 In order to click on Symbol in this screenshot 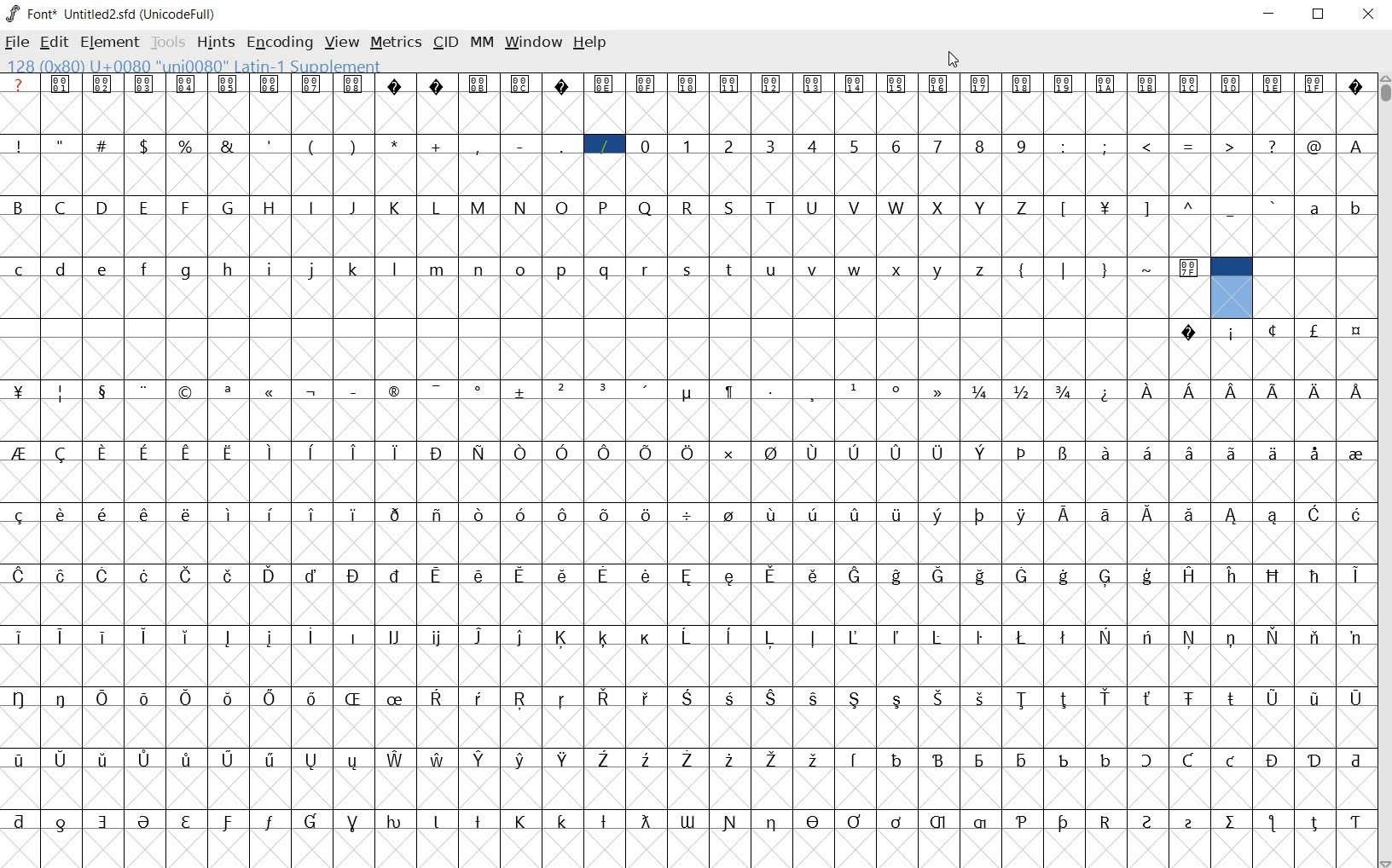, I will do `click(1022, 759)`.